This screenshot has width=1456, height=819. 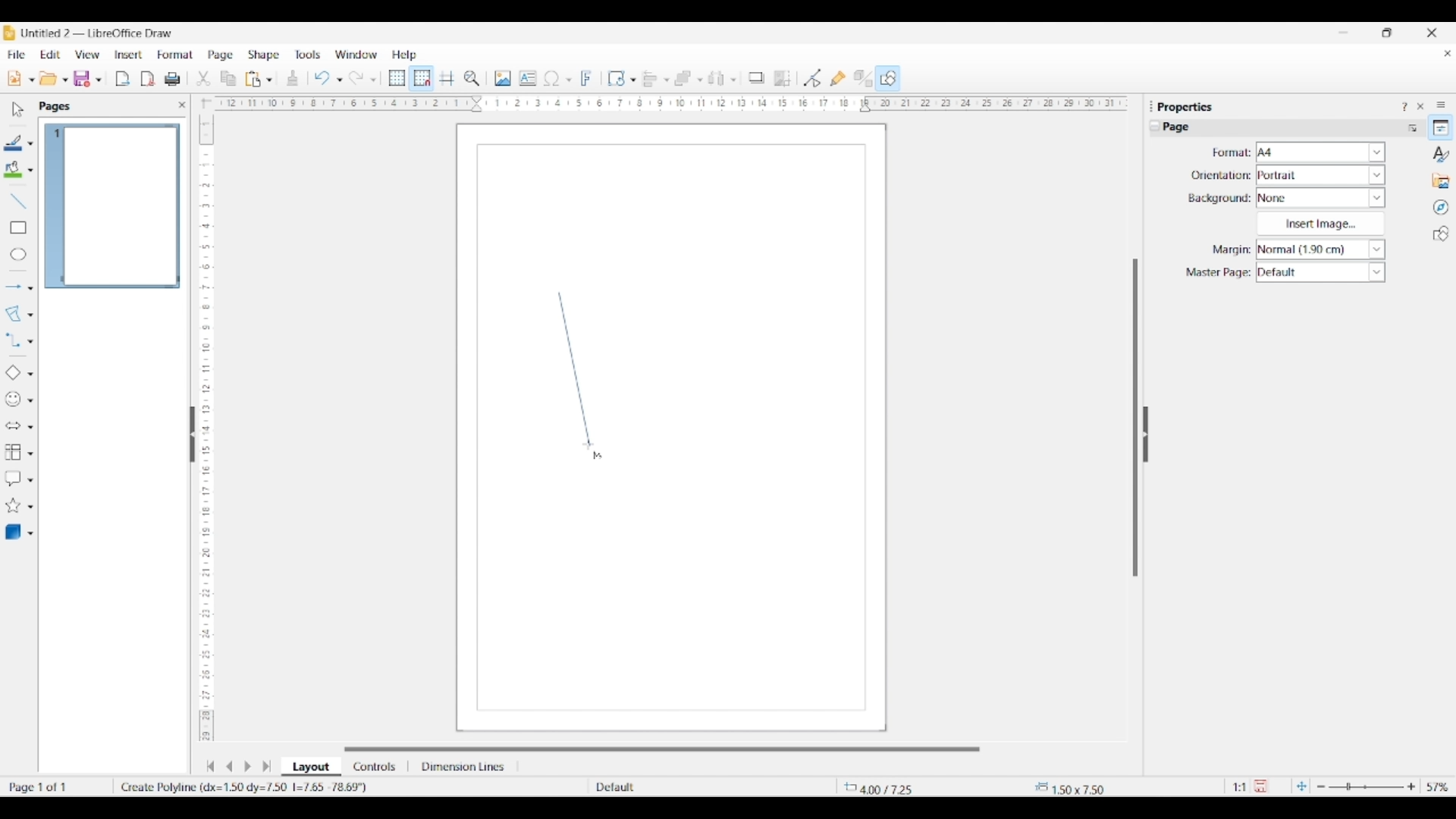 I want to click on Close interface, so click(x=1432, y=33).